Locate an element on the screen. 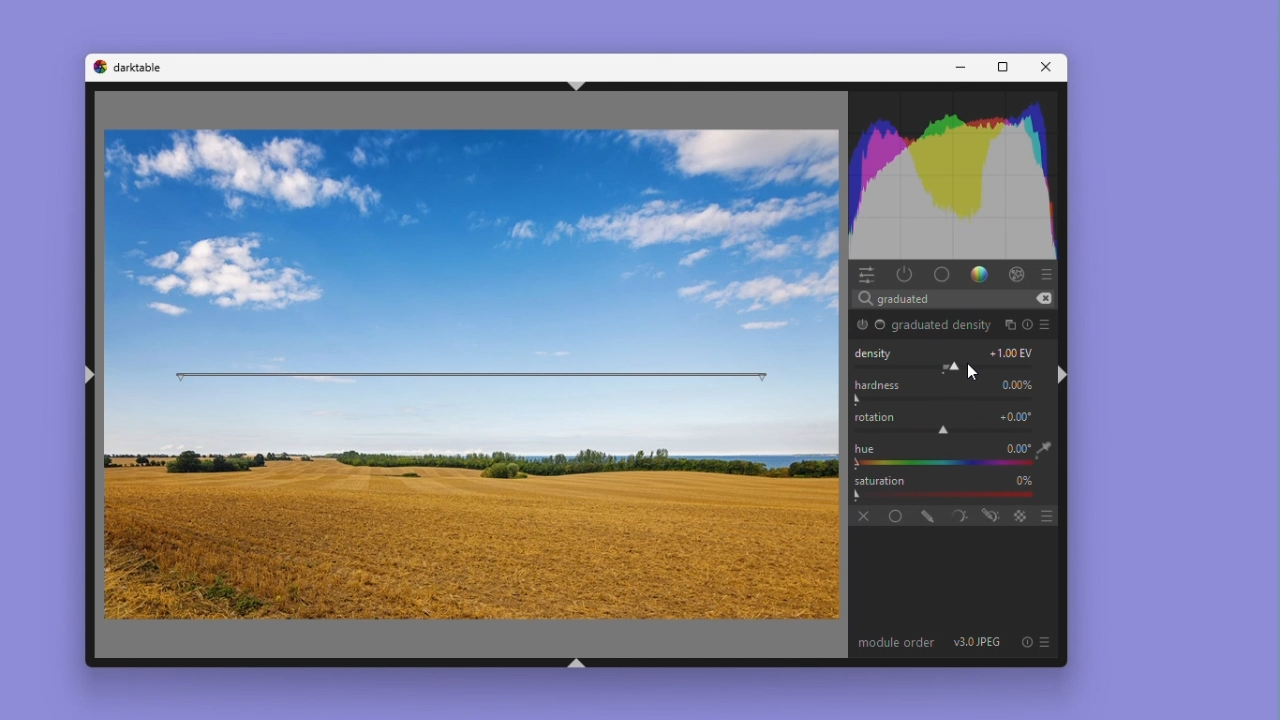 This screenshot has height=720, width=1280. blending options is located at coordinates (1021, 515).